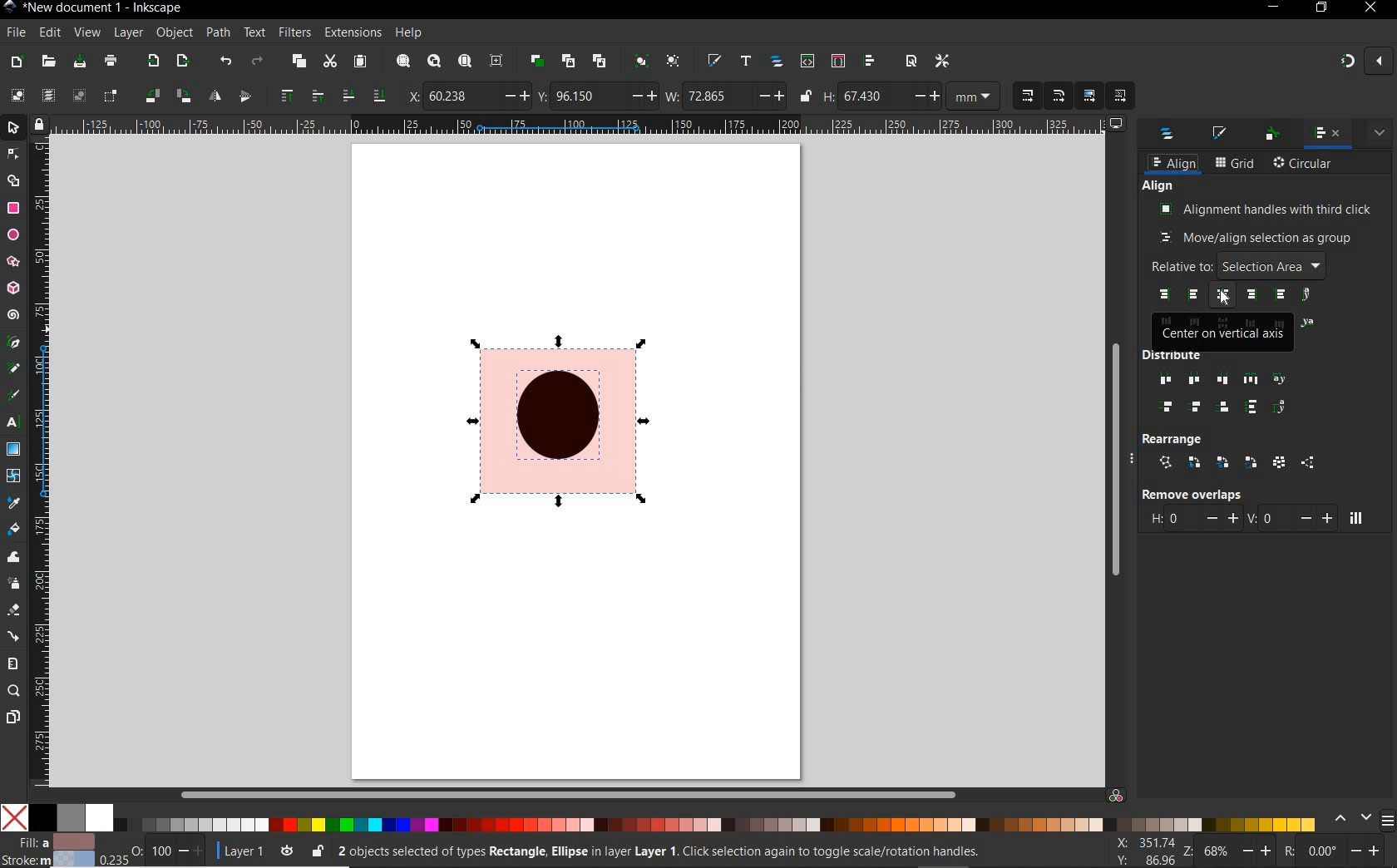  Describe the element at coordinates (531, 792) in the screenshot. I see `scrollbar` at that location.